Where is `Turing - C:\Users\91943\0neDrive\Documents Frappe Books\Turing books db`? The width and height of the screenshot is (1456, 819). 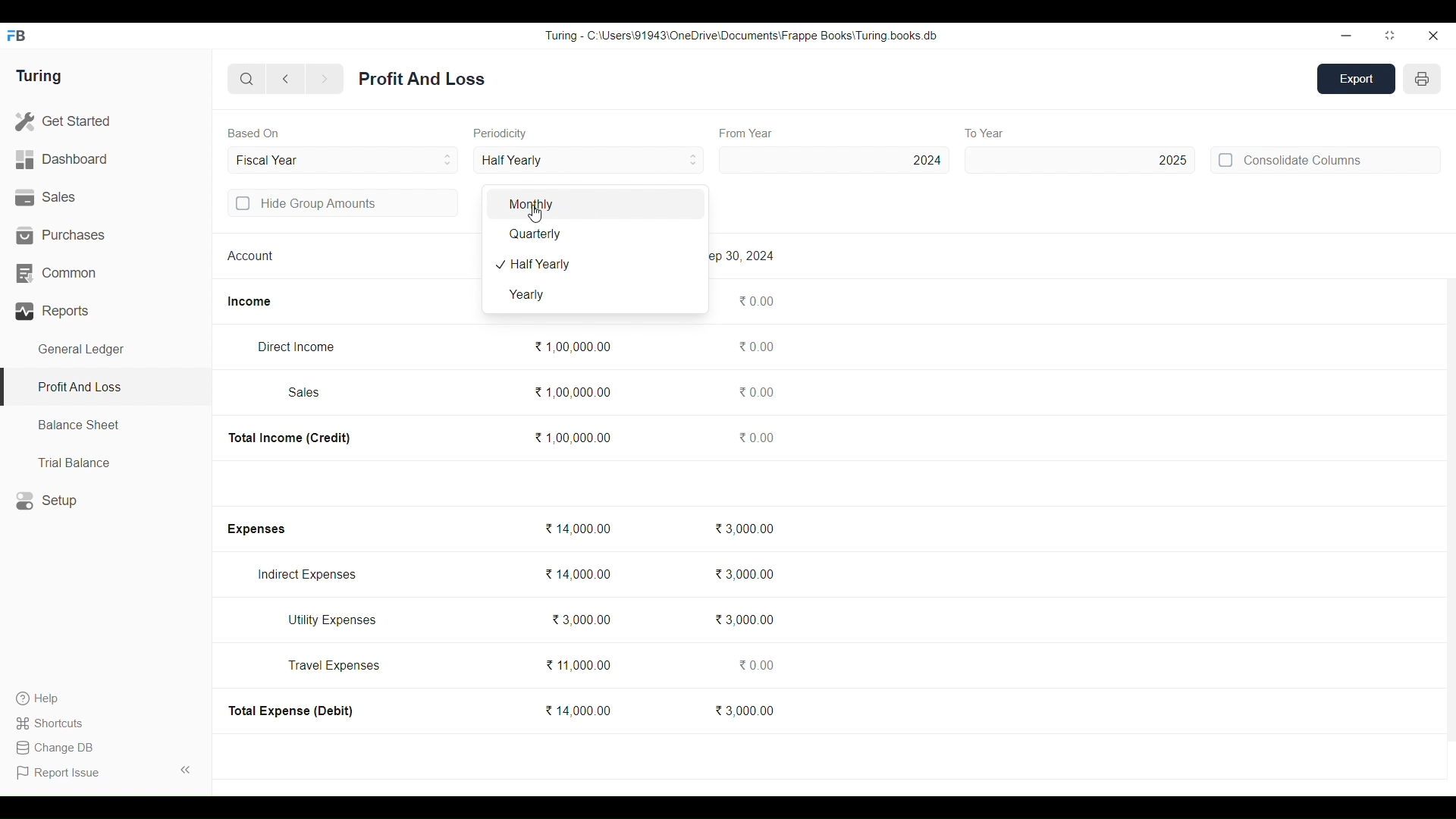 Turing - C:\Users\91943\0neDrive\Documents Frappe Books\Turing books db is located at coordinates (742, 35).